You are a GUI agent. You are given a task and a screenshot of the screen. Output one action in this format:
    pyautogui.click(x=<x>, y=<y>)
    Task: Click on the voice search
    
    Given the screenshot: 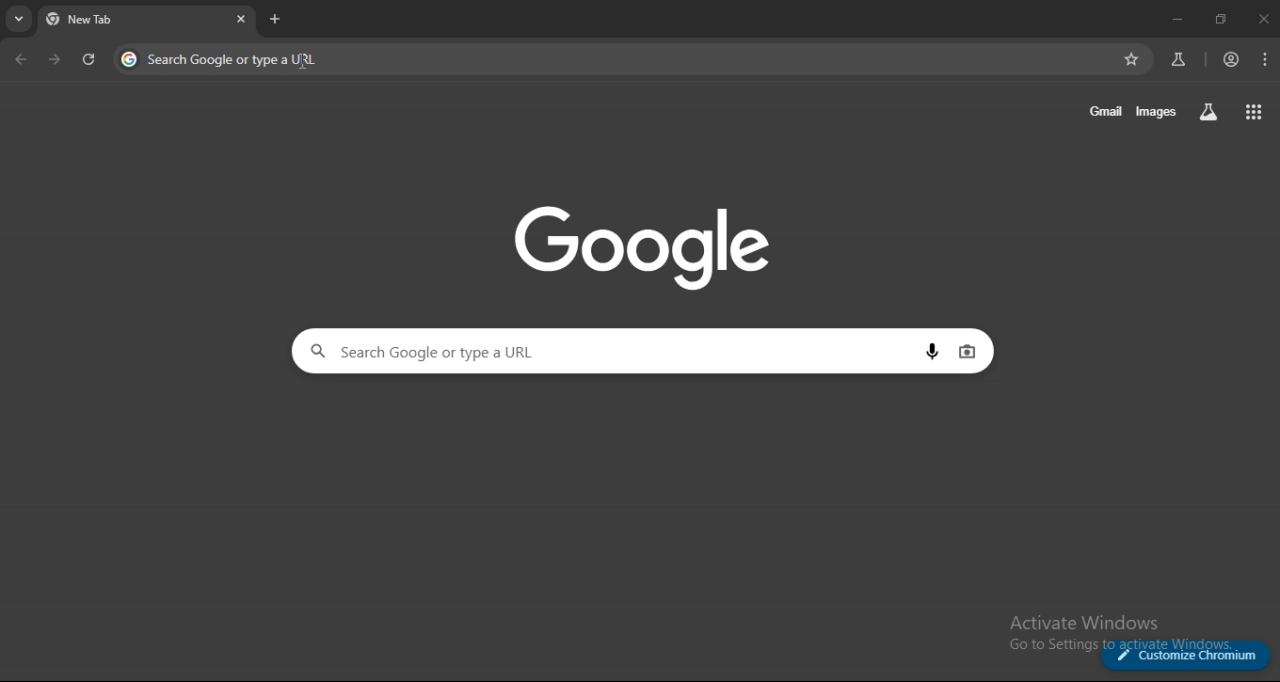 What is the action you would take?
    pyautogui.click(x=936, y=353)
    